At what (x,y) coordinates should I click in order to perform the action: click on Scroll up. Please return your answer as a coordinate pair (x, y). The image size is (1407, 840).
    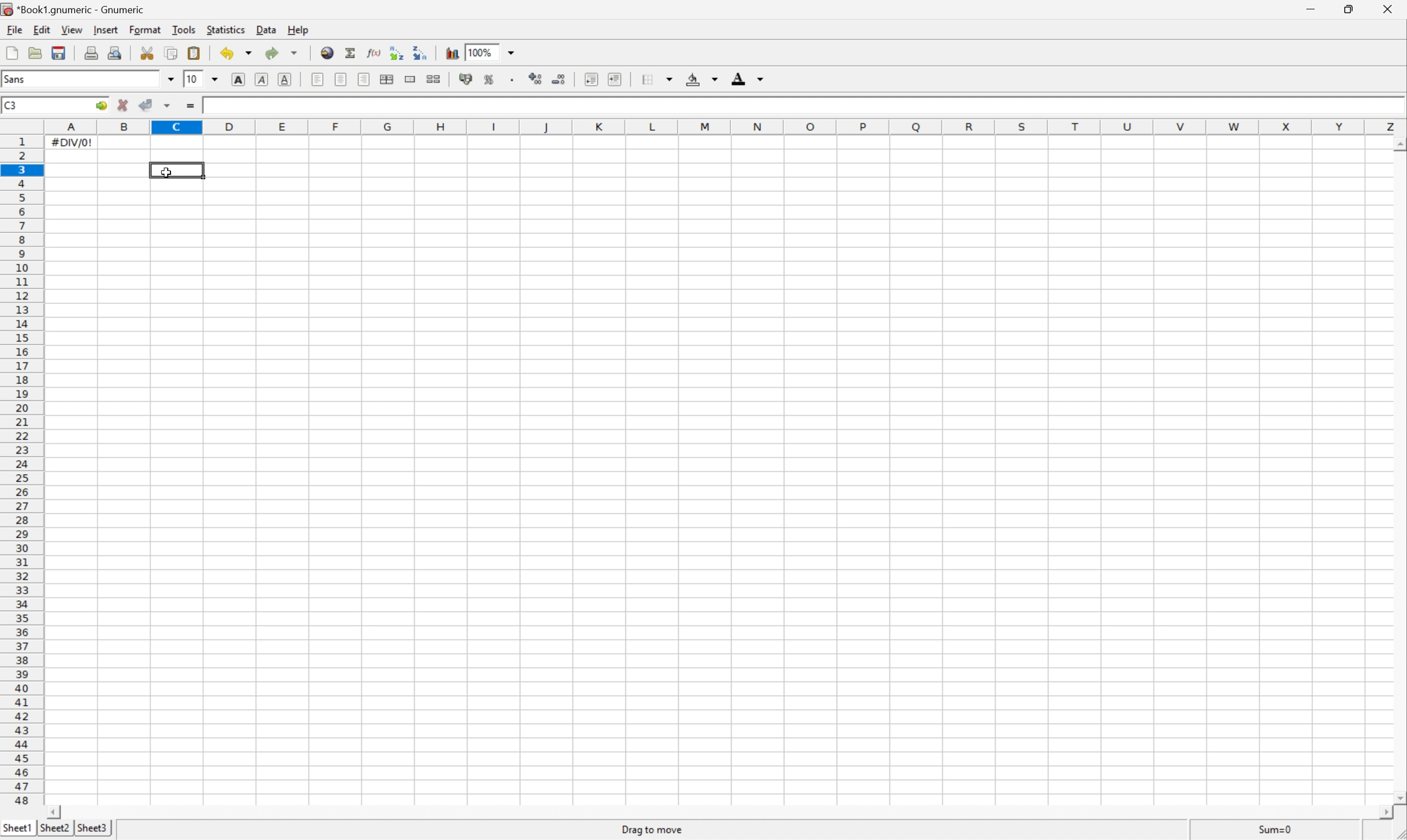
    Looking at the image, I should click on (1398, 144).